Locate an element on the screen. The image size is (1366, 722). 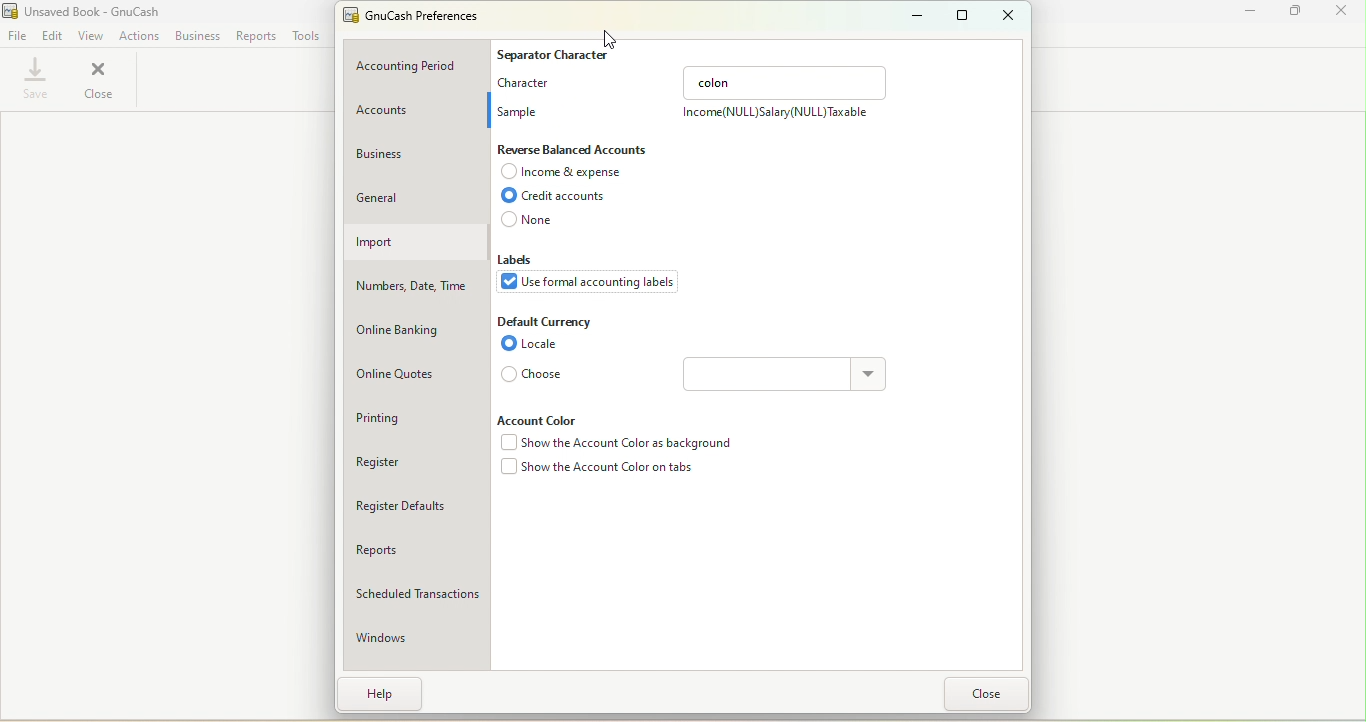
cursor is located at coordinates (605, 37).